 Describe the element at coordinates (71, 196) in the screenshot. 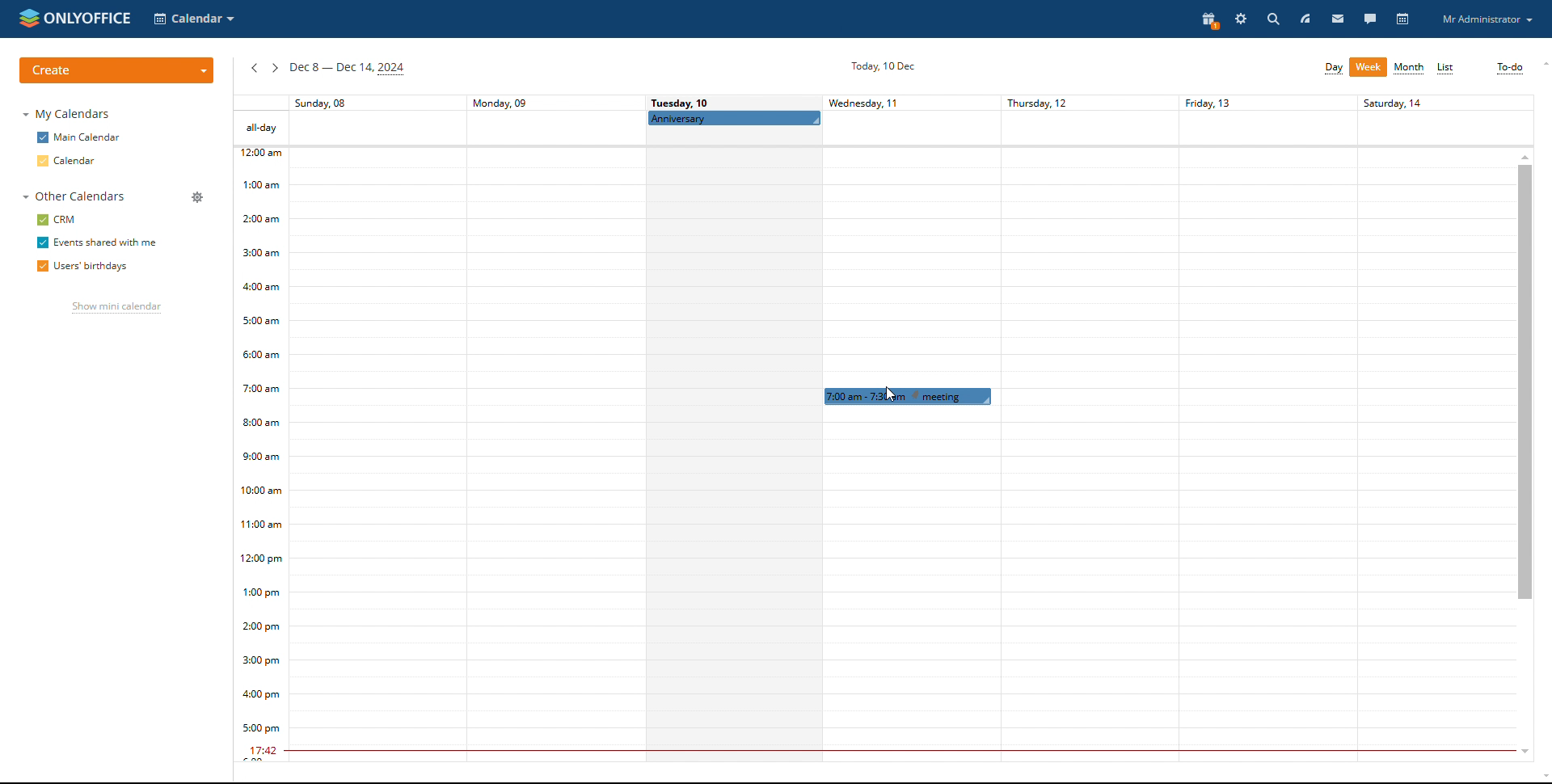

I see `other calendars` at that location.